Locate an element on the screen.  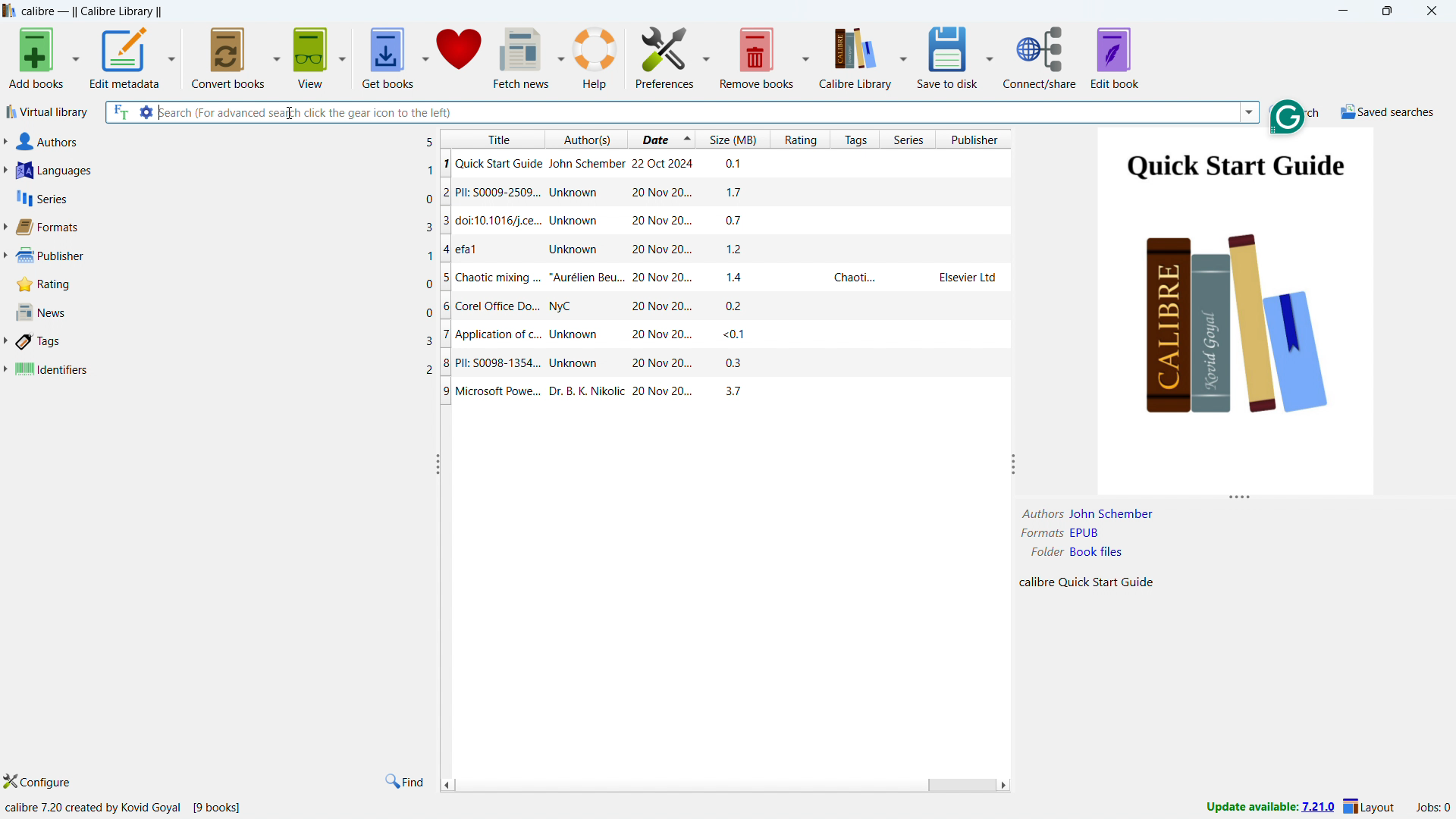
calibre library is located at coordinates (855, 57).